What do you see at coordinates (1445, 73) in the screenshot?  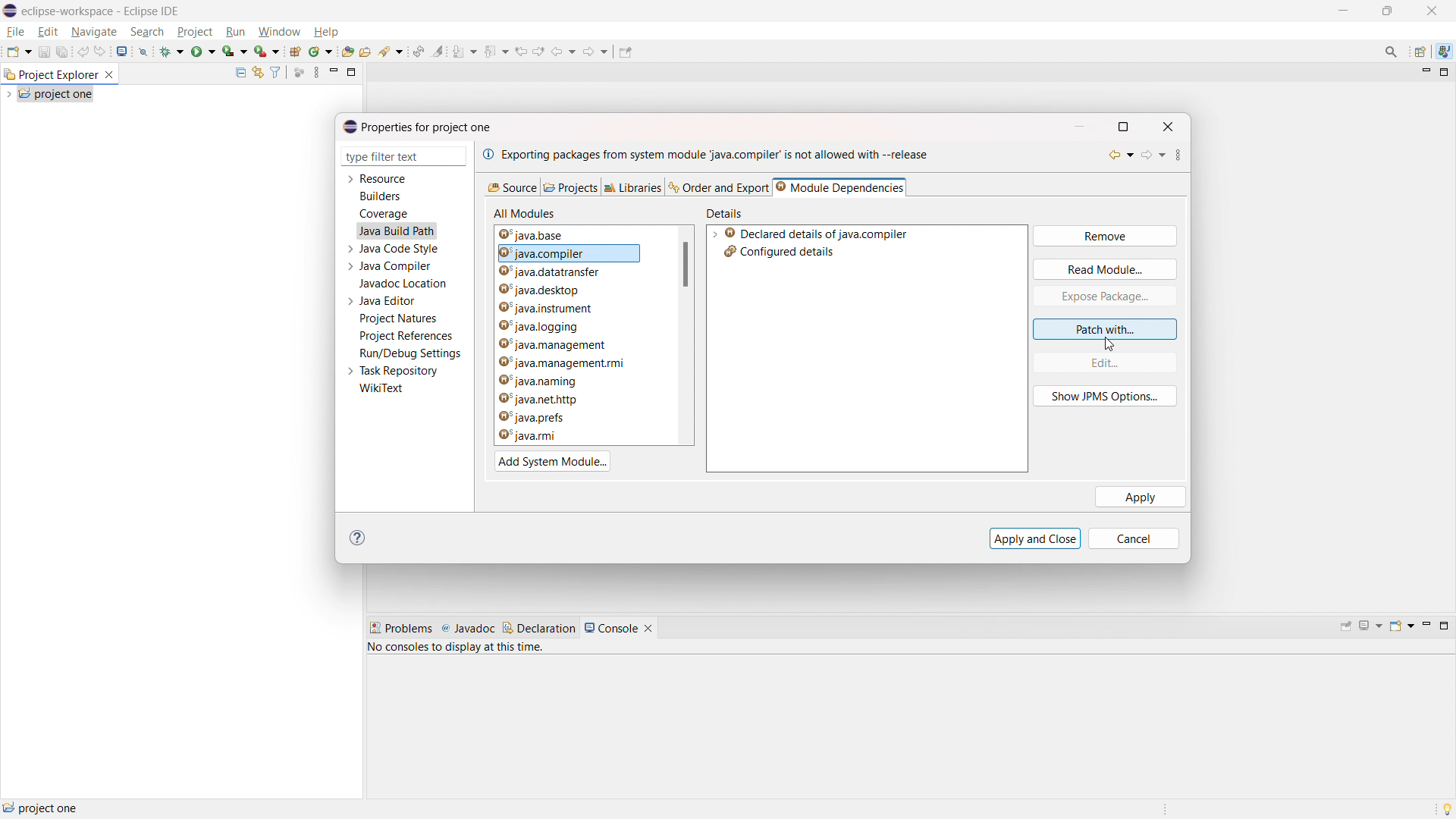 I see `maximize` at bounding box center [1445, 73].